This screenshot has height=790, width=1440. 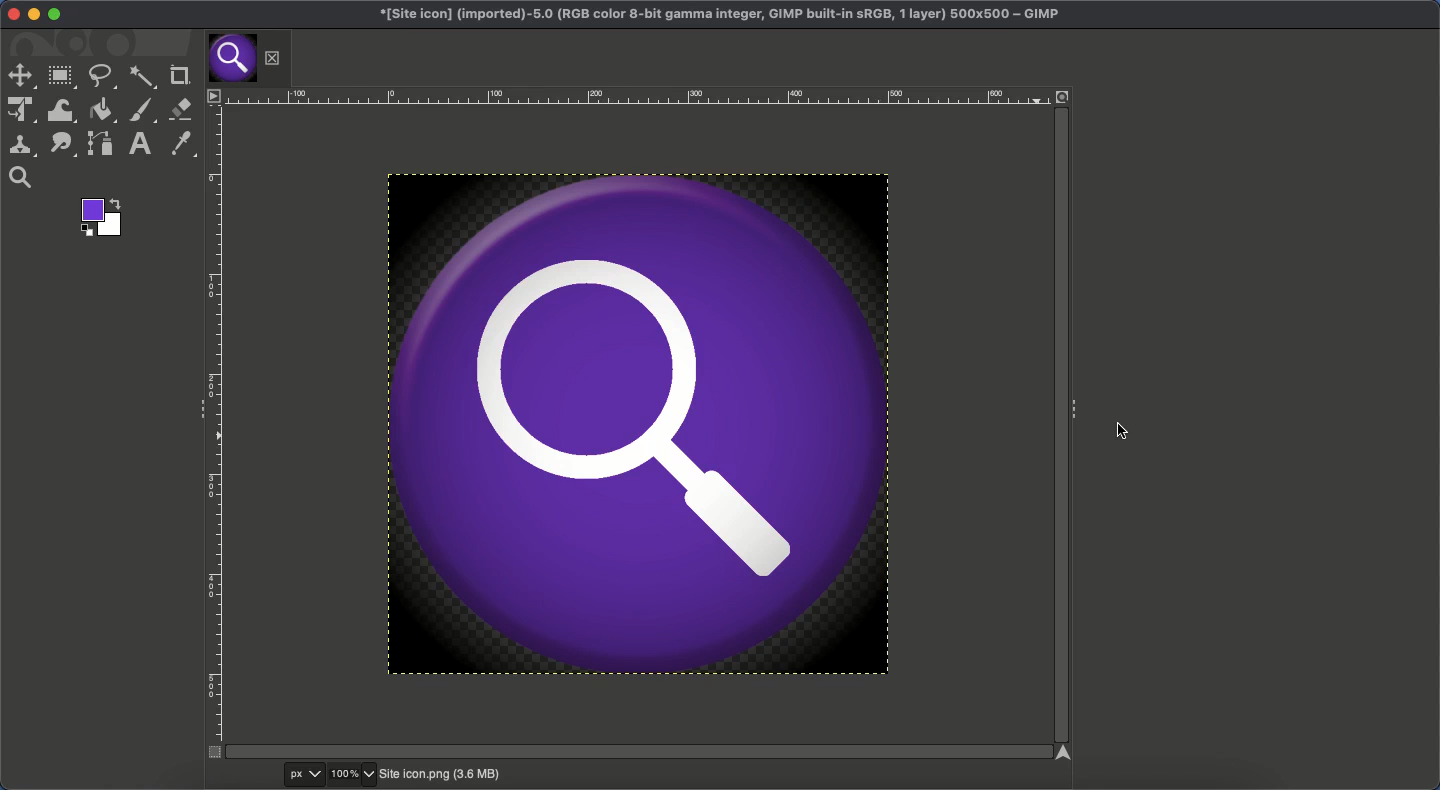 I want to click on Crop, so click(x=177, y=76).